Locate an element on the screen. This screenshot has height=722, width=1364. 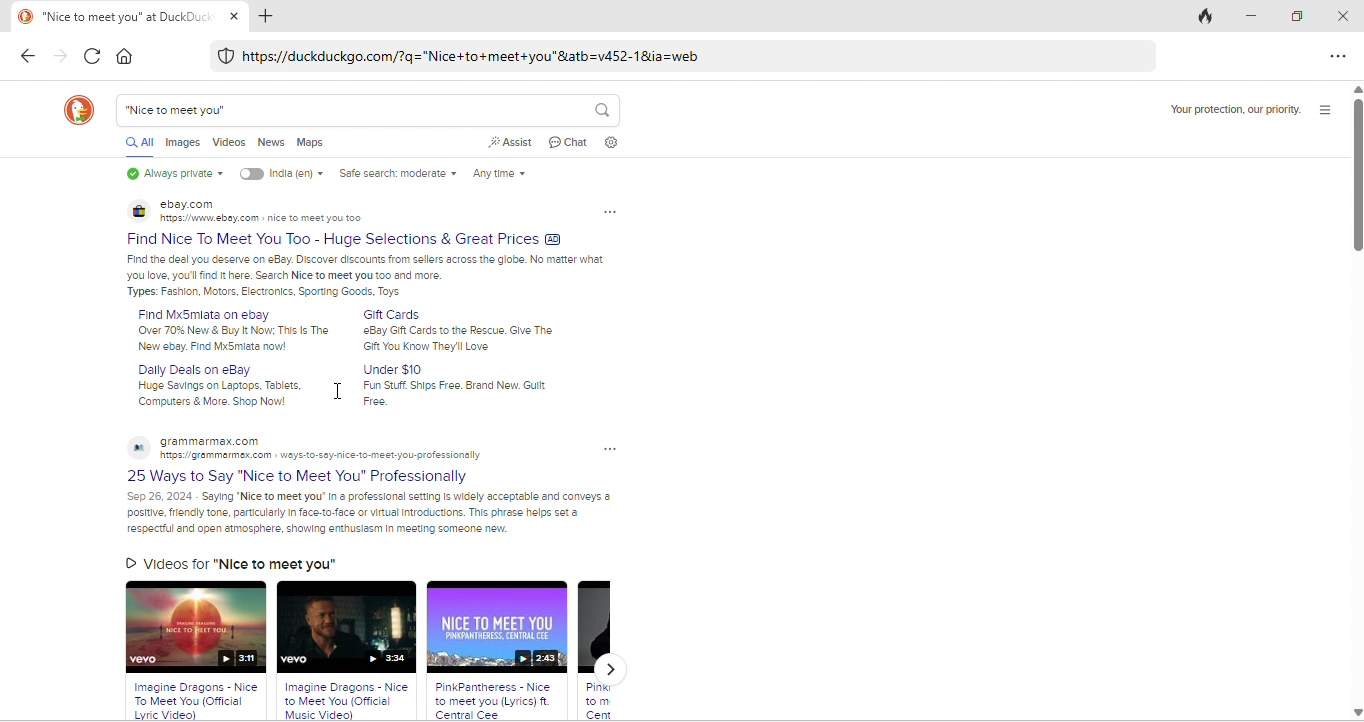
new webpage of search result openned is located at coordinates (112, 17).